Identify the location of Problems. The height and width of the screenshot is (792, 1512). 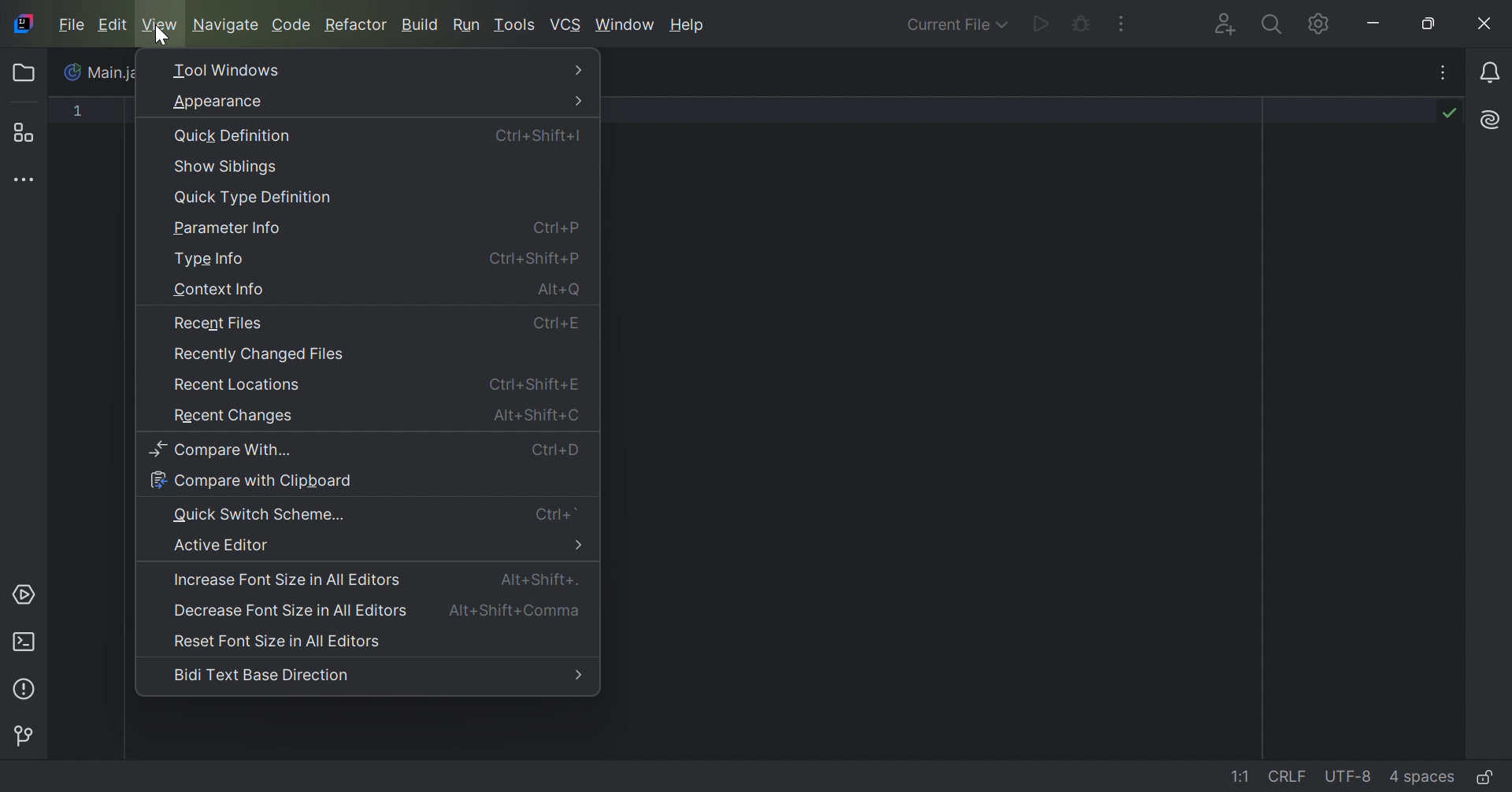
(28, 687).